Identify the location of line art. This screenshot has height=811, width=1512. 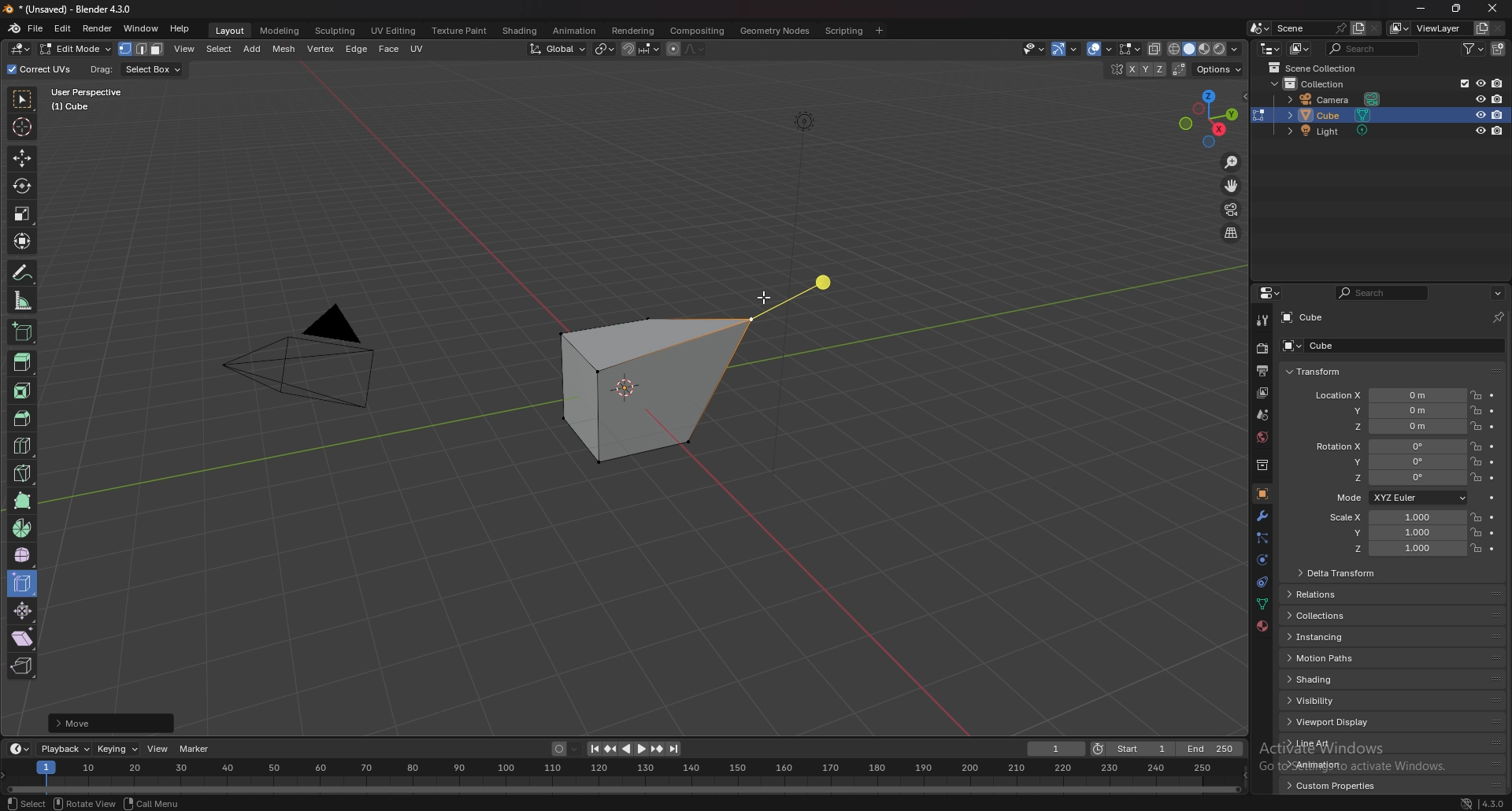
(1327, 744).